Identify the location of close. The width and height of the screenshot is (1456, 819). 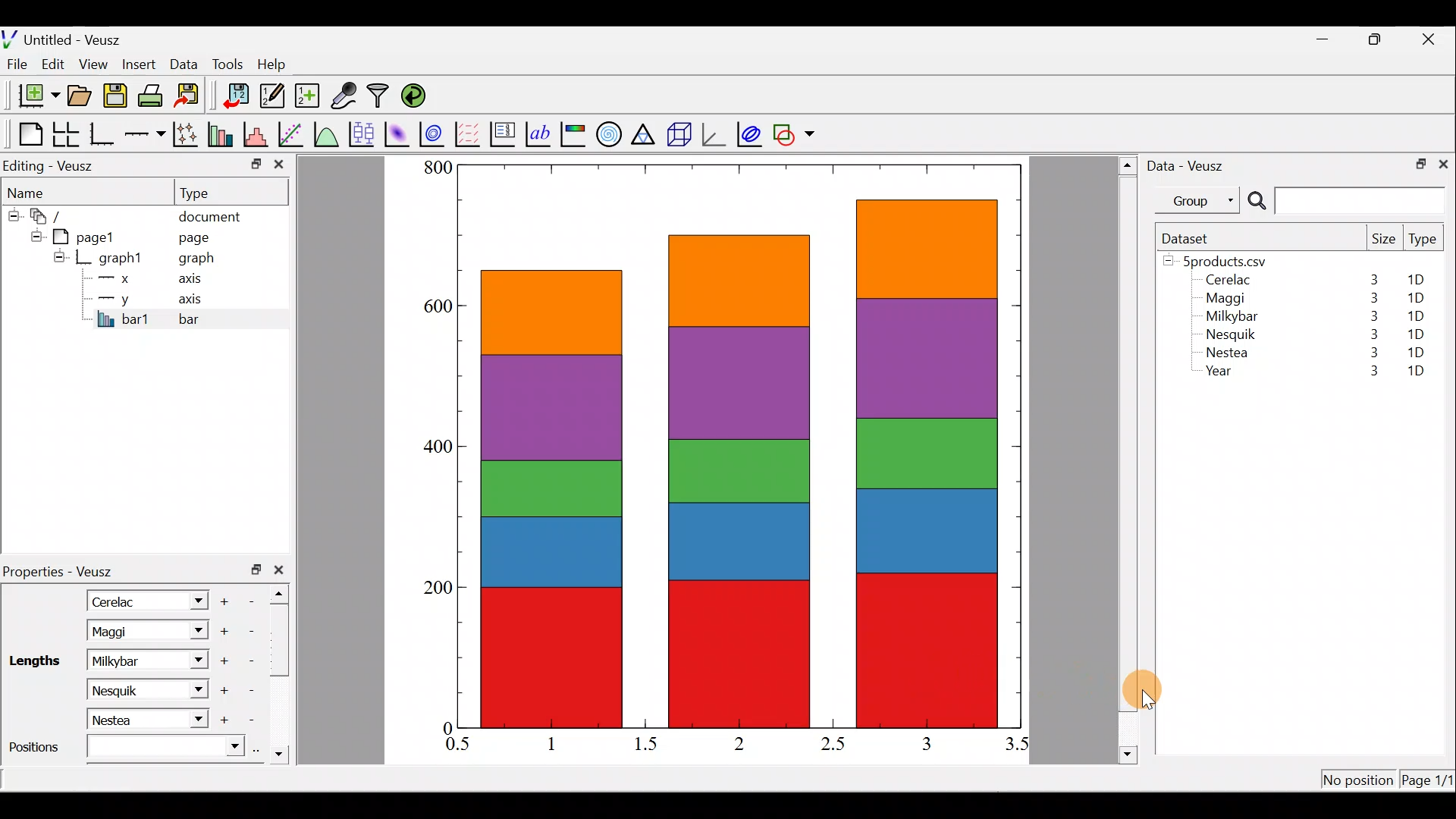
(282, 570).